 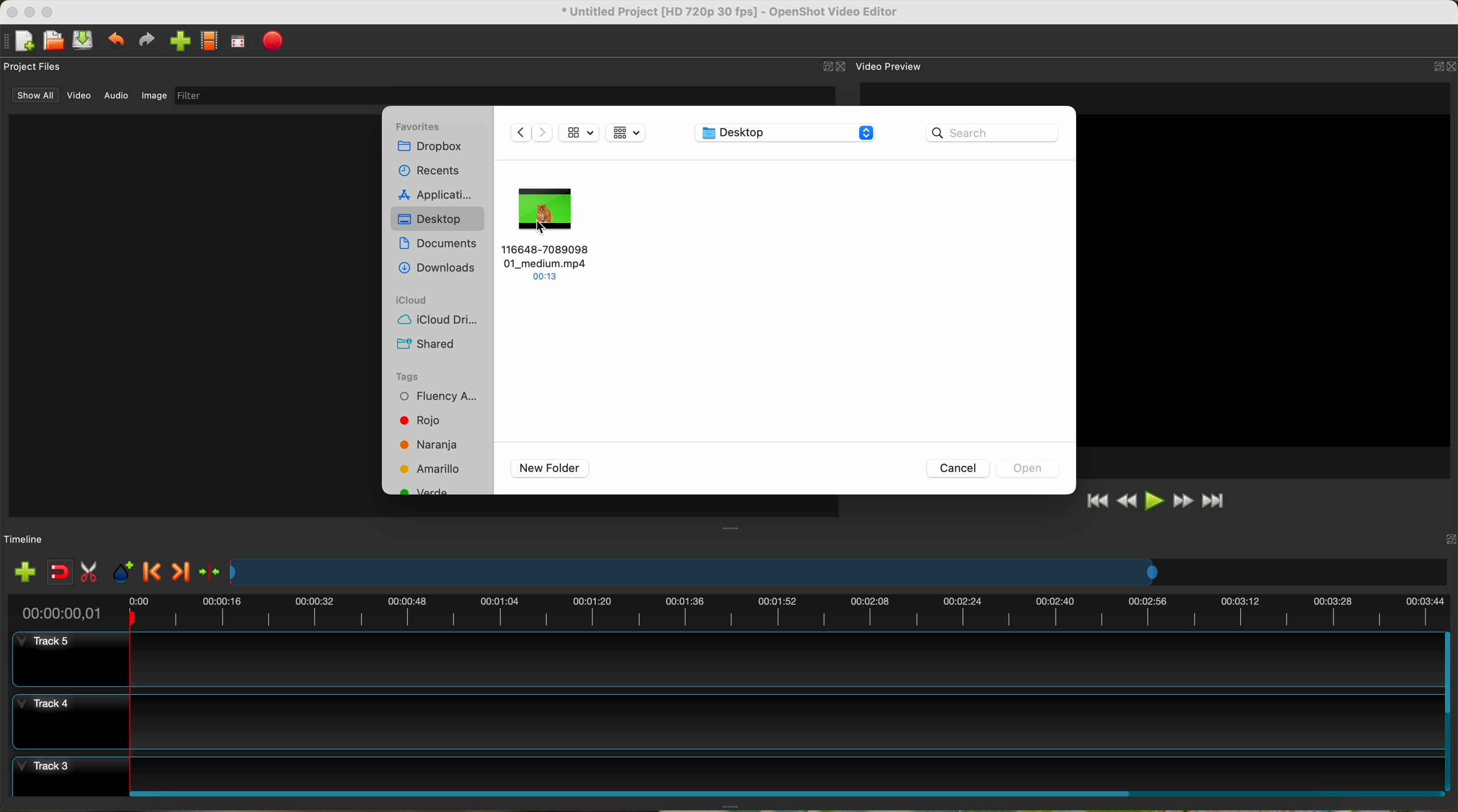 What do you see at coordinates (433, 148) in the screenshot?
I see `dropbox` at bounding box center [433, 148].